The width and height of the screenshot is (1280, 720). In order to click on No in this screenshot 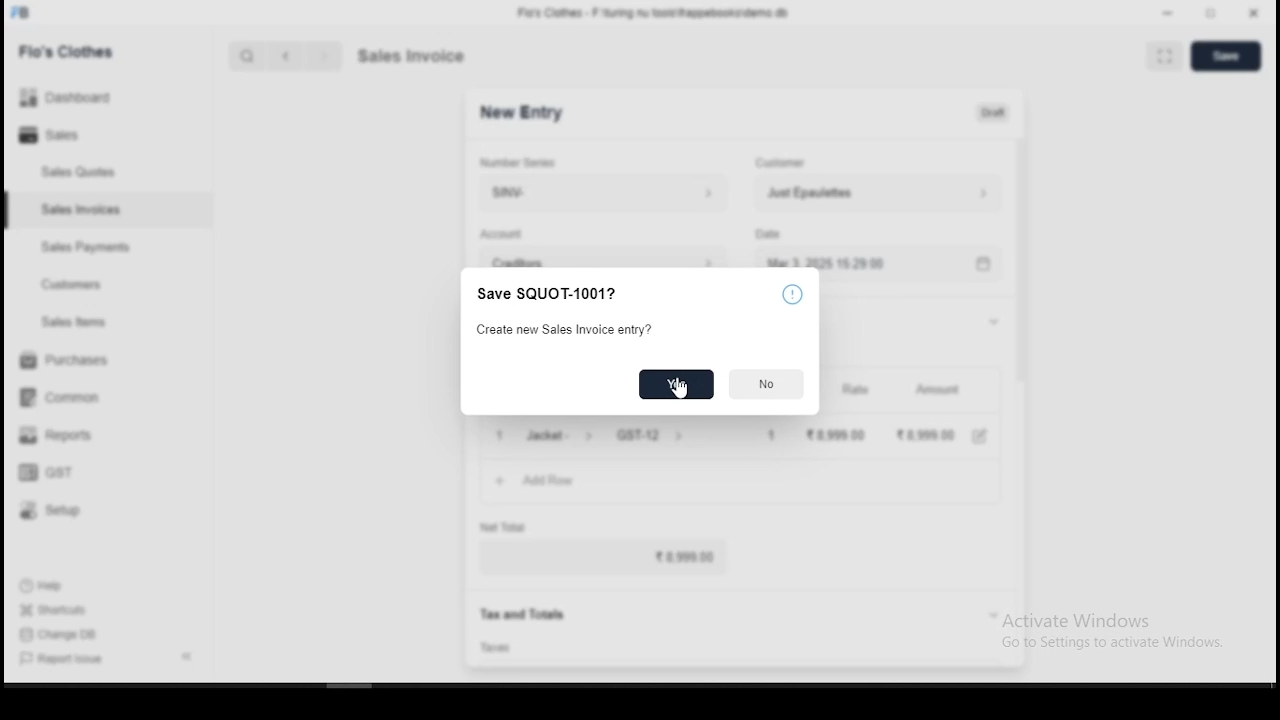, I will do `click(765, 384)`.